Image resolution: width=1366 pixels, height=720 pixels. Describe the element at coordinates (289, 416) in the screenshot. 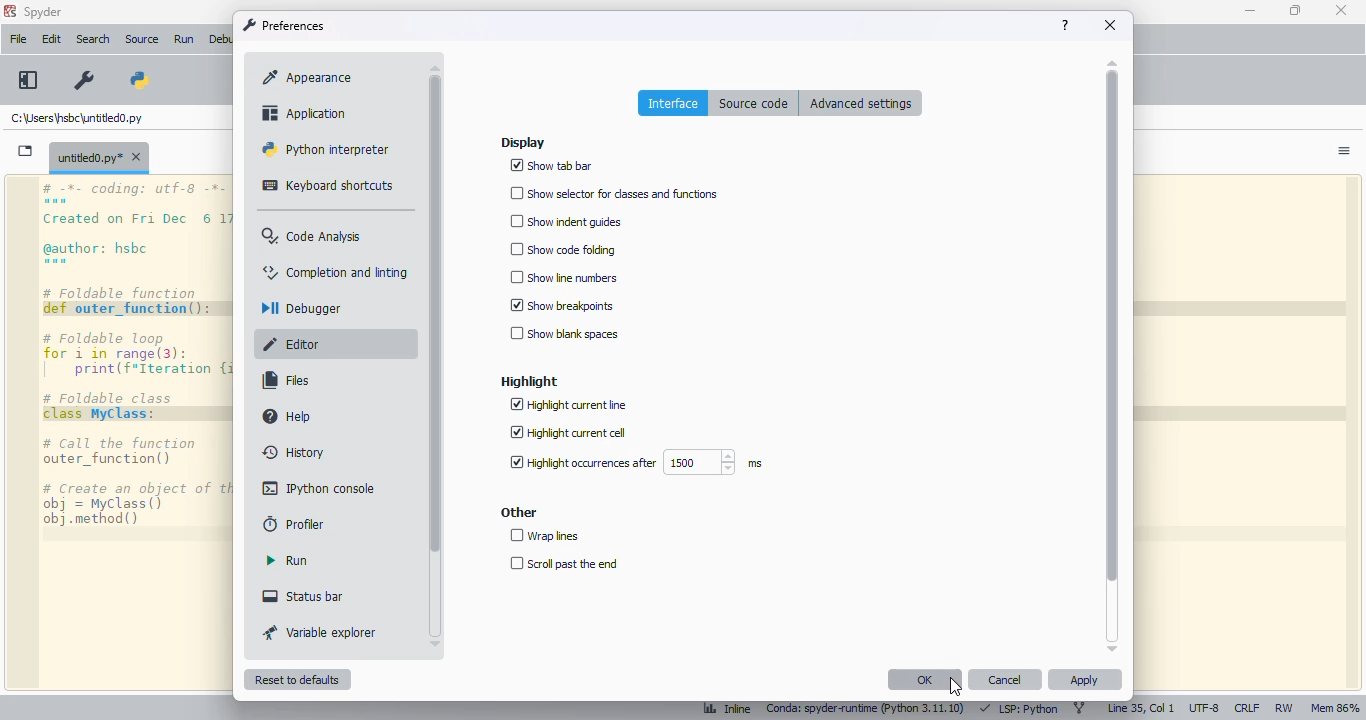

I see `help` at that location.